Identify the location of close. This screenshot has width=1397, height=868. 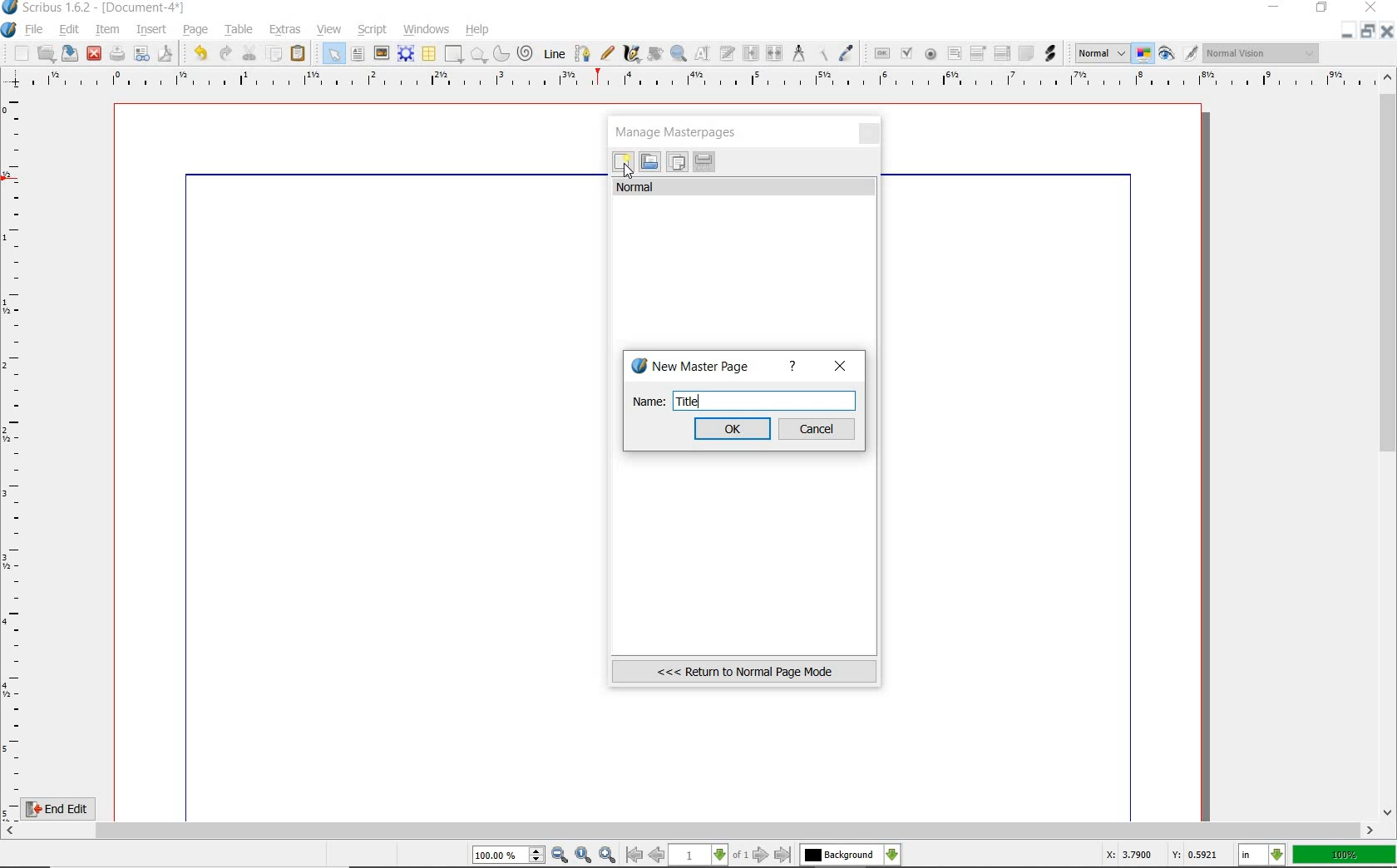
(841, 366).